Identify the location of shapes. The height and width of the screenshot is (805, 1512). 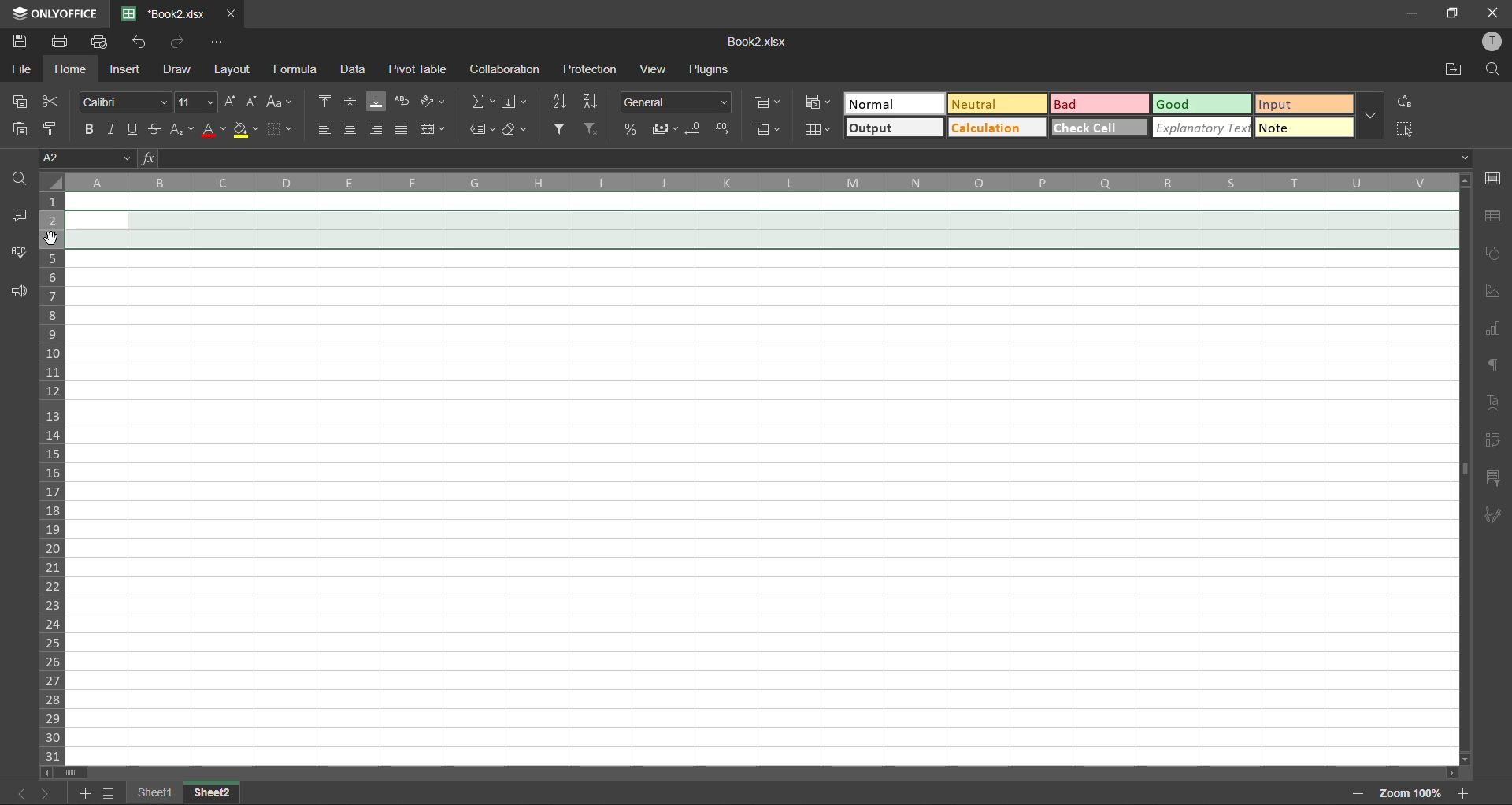
(1490, 254).